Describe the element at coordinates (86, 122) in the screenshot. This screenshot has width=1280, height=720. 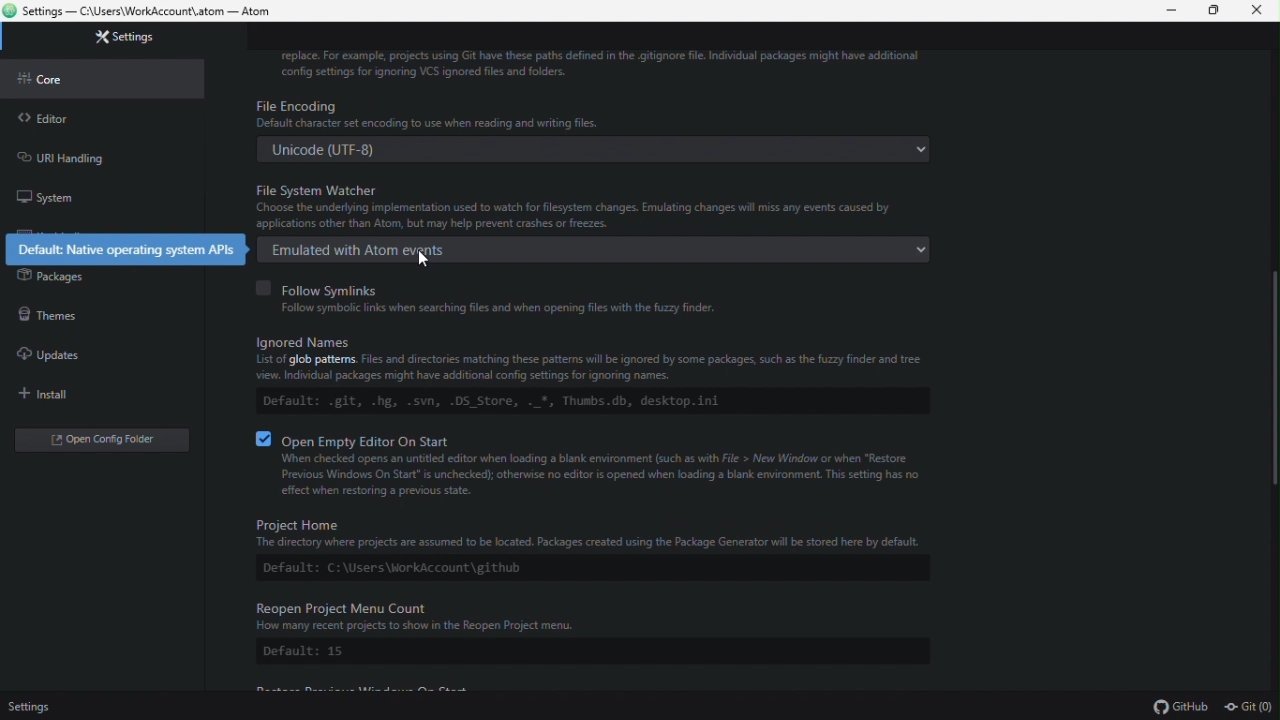
I see `editor` at that location.